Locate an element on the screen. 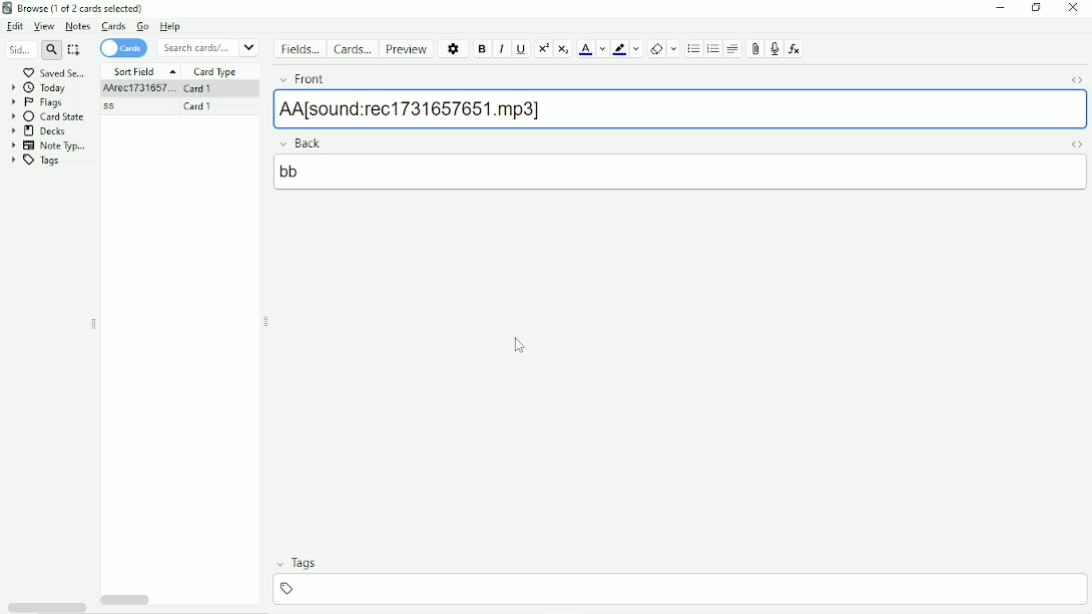  Search is located at coordinates (32, 50).